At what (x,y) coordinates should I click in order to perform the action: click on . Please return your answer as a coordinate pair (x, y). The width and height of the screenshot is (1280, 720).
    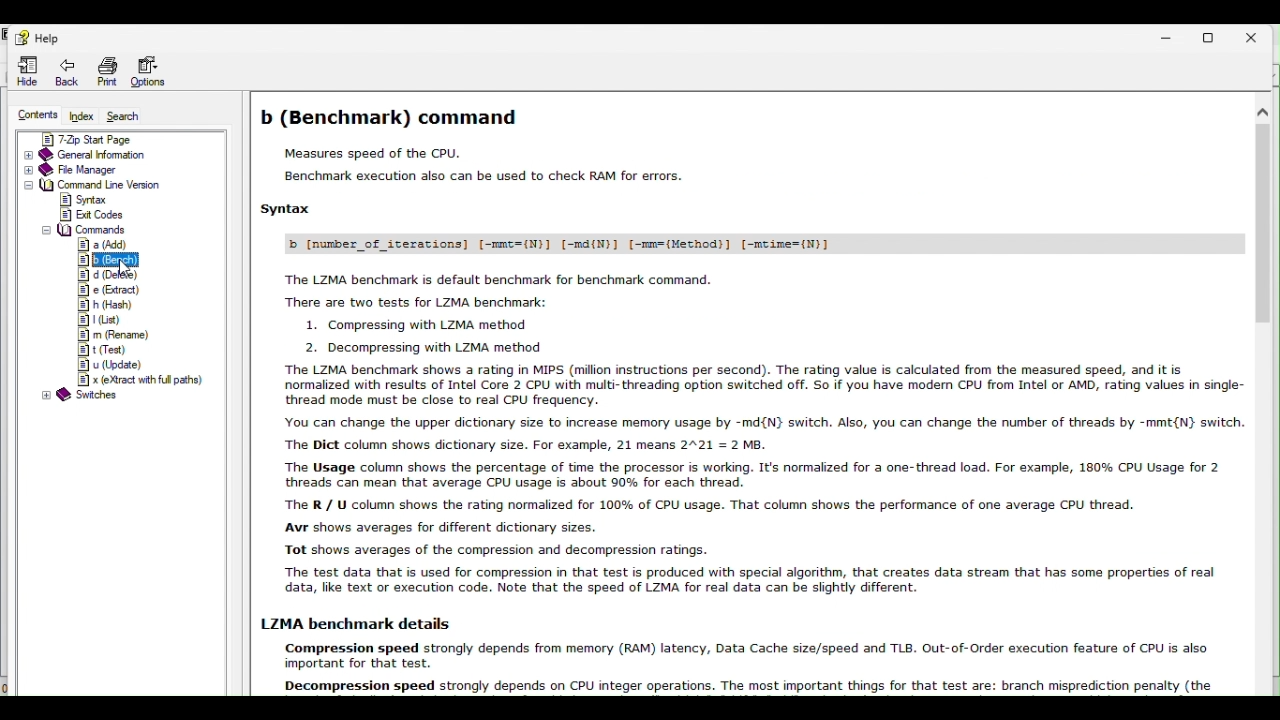
    Looking at the image, I should click on (735, 655).